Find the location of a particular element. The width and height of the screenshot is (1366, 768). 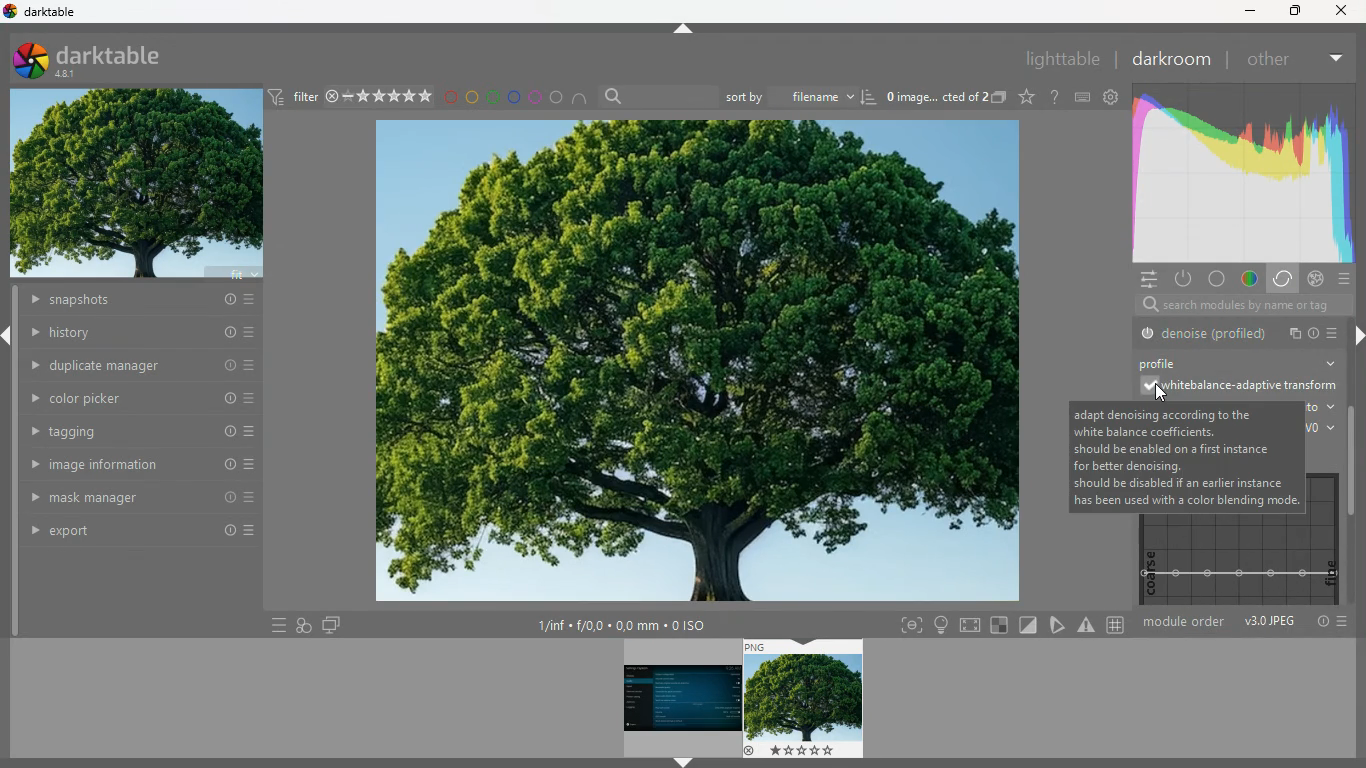

cancel is located at coordinates (1316, 279).